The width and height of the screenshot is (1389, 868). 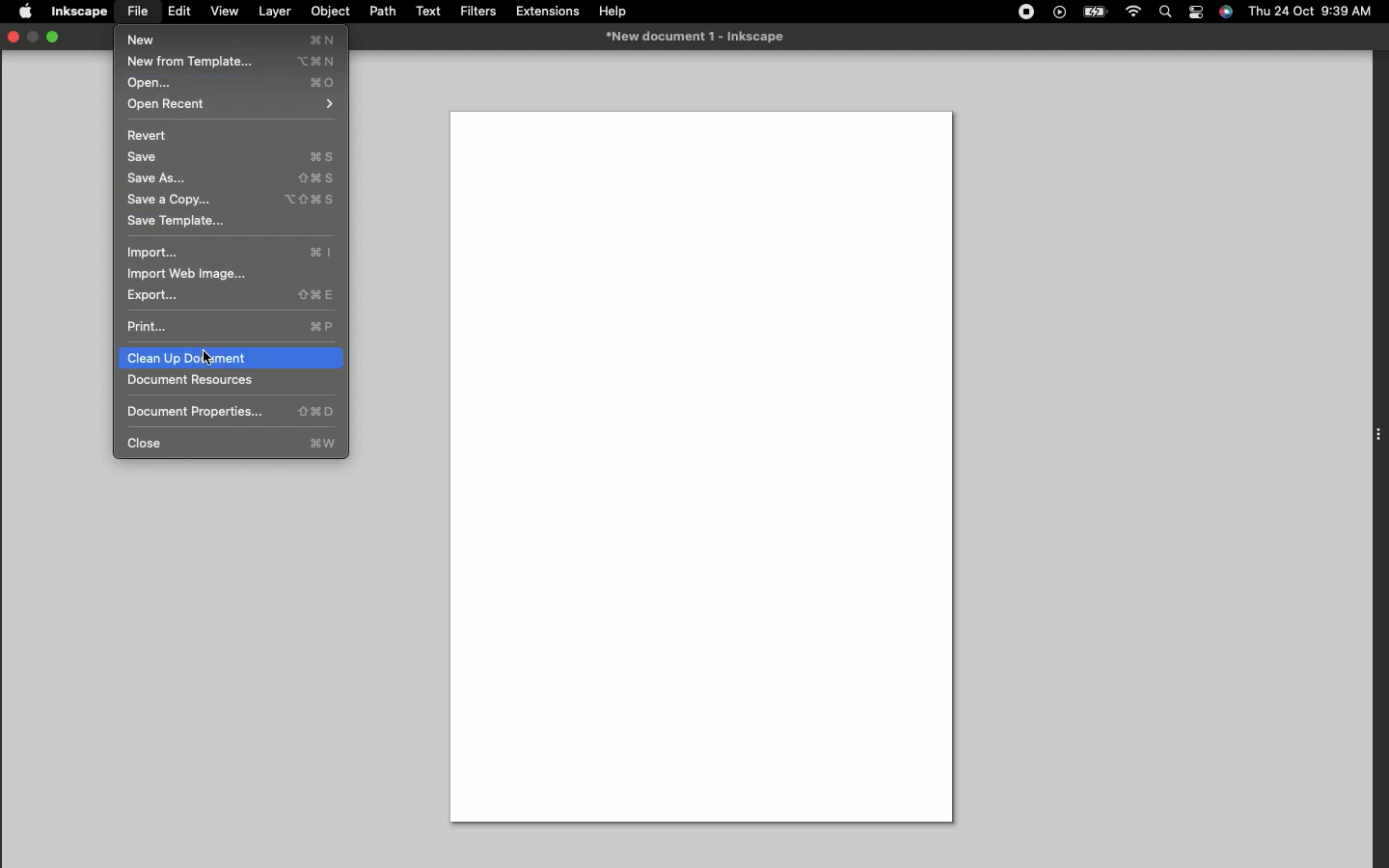 I want to click on minimise, so click(x=34, y=38).